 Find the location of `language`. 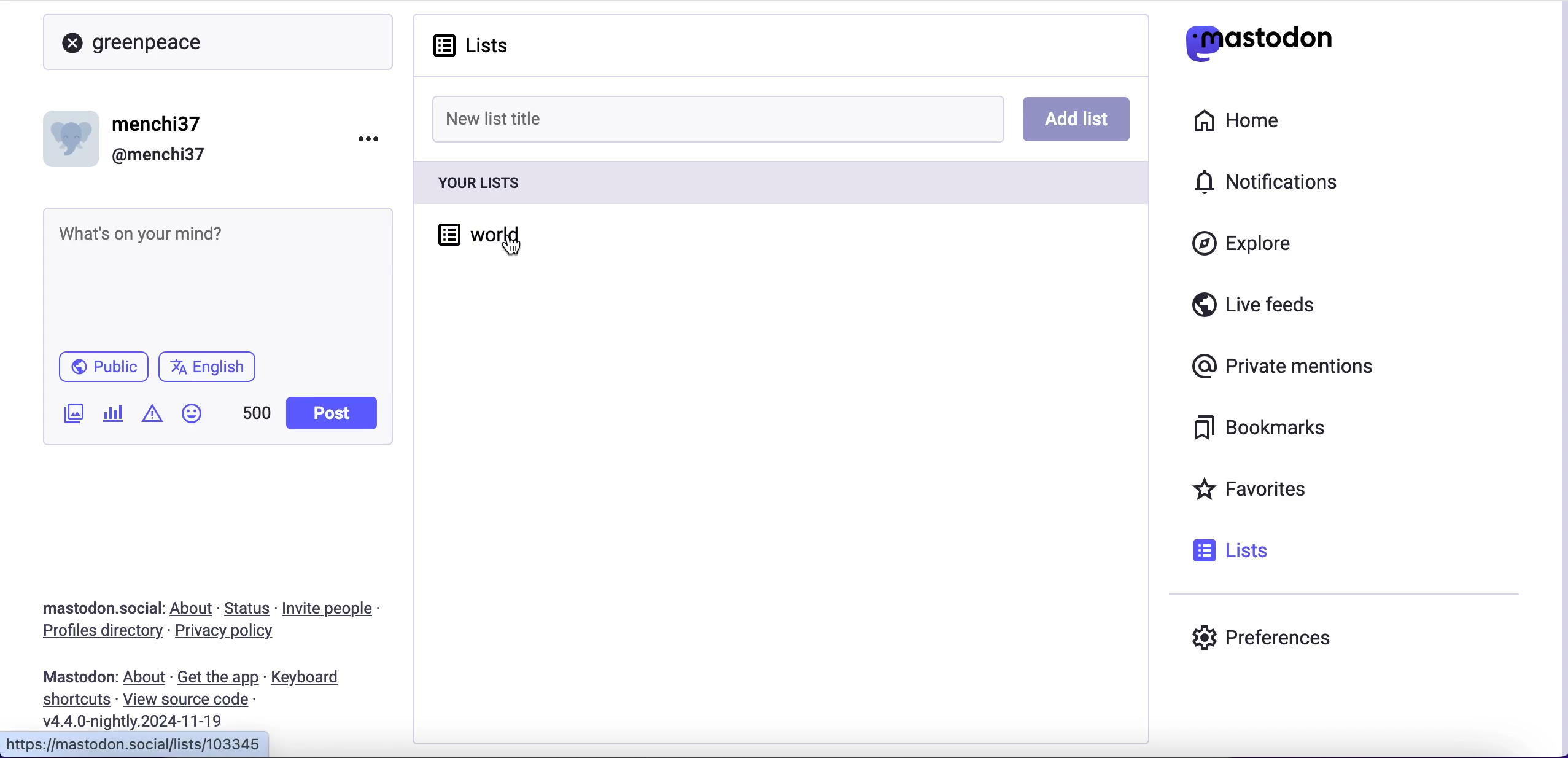

language is located at coordinates (212, 372).